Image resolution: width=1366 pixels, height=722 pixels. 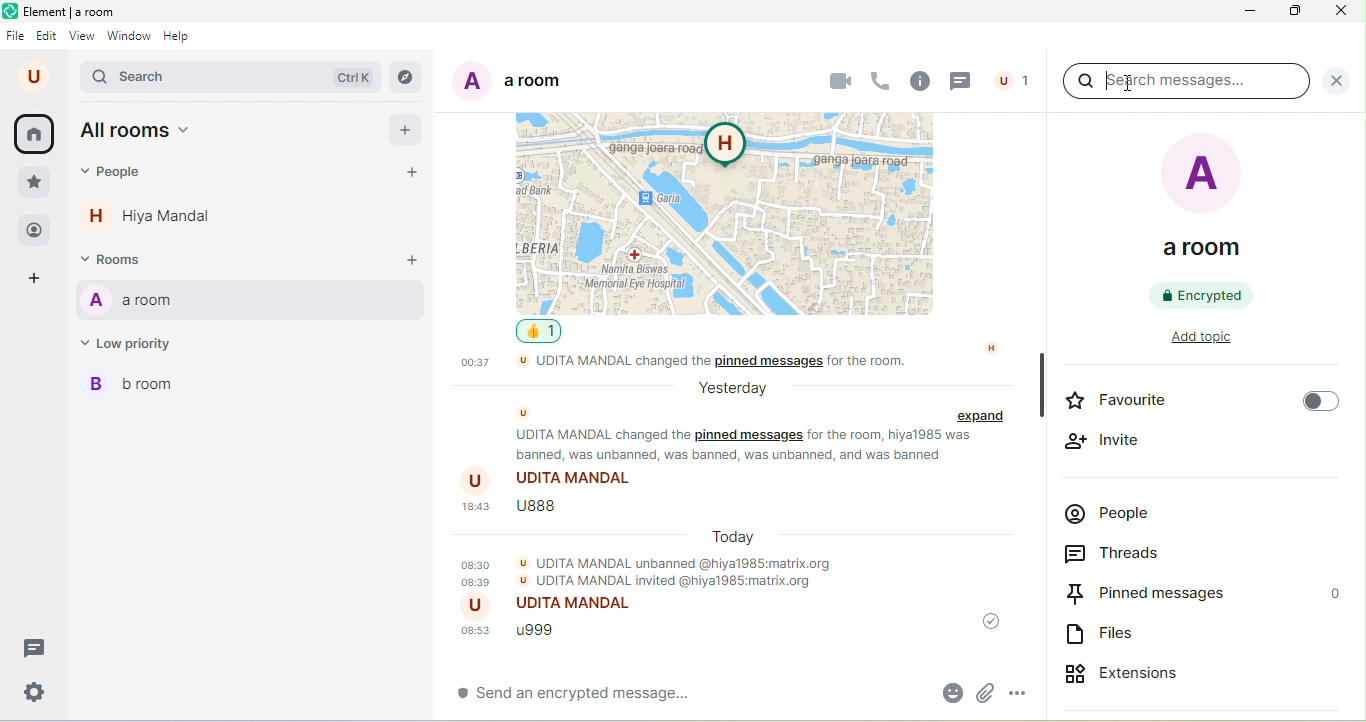 What do you see at coordinates (140, 389) in the screenshot?
I see `b room` at bounding box center [140, 389].